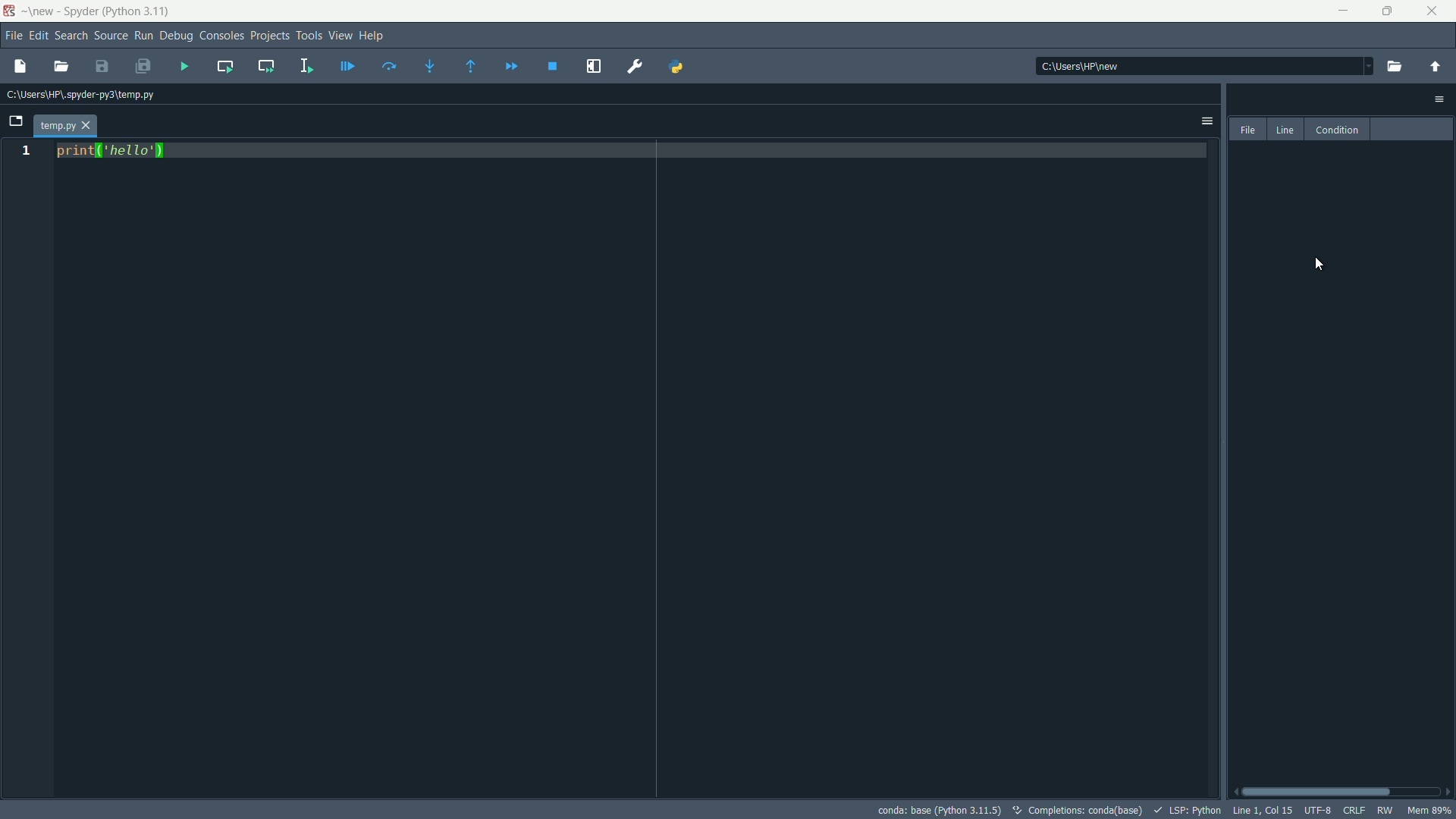 The image size is (1456, 819). What do you see at coordinates (1079, 66) in the screenshot?
I see `c:\users\hp\new` at bounding box center [1079, 66].